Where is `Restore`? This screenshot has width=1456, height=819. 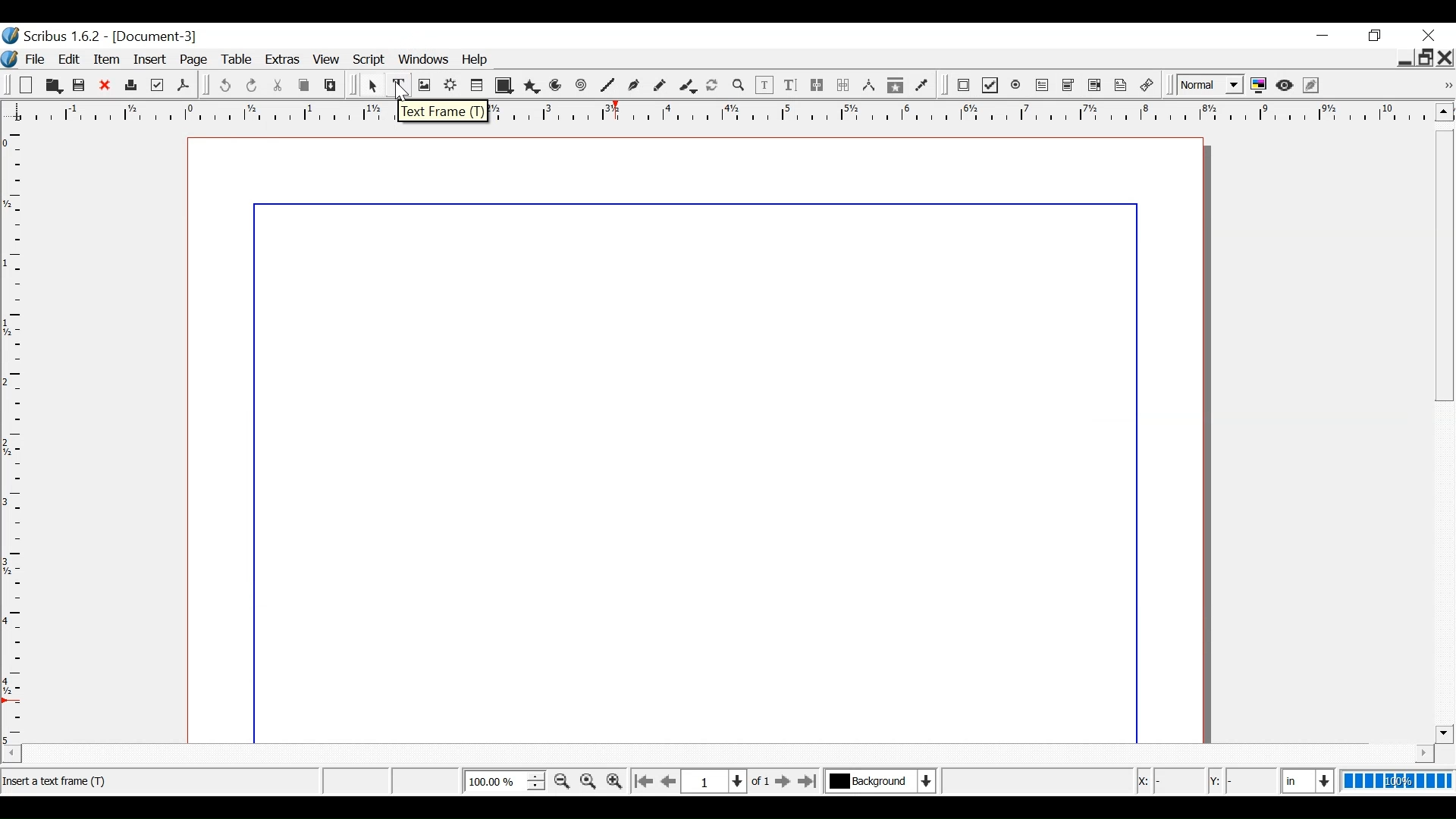
Restore is located at coordinates (1426, 56).